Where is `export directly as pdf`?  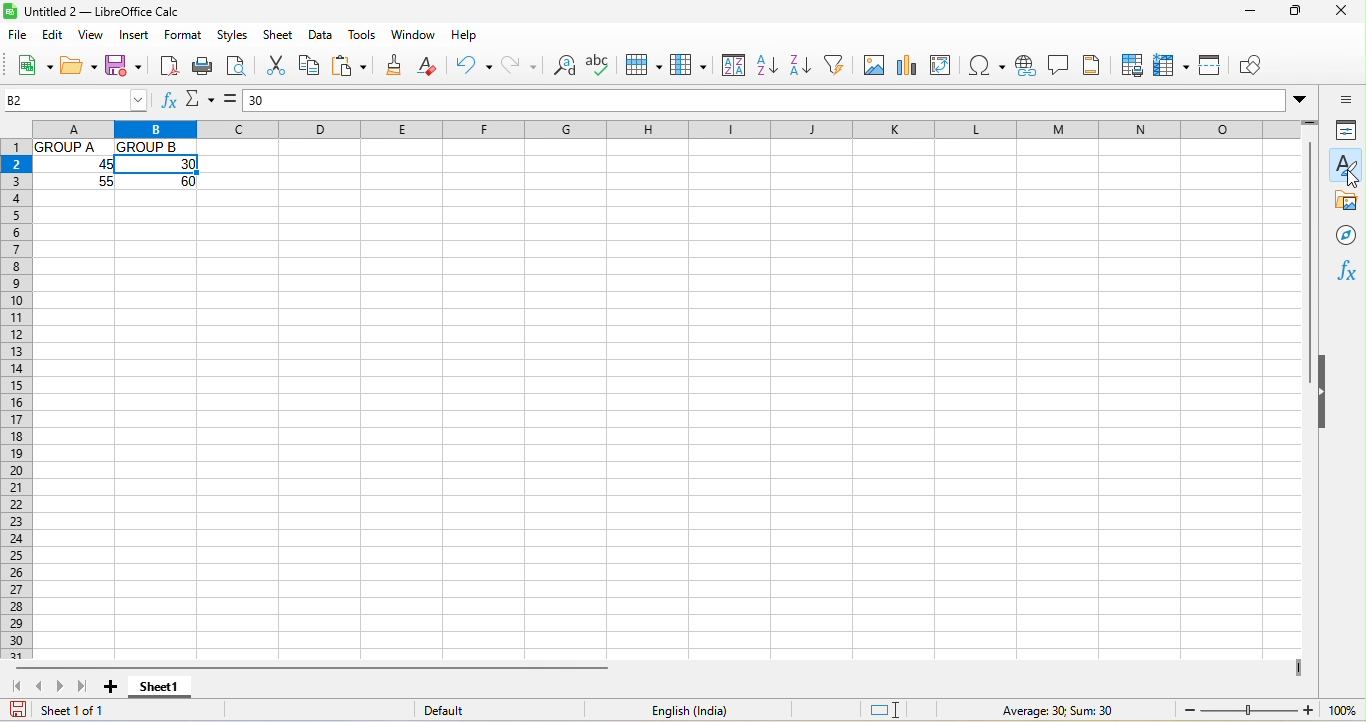
export directly as pdf is located at coordinates (168, 68).